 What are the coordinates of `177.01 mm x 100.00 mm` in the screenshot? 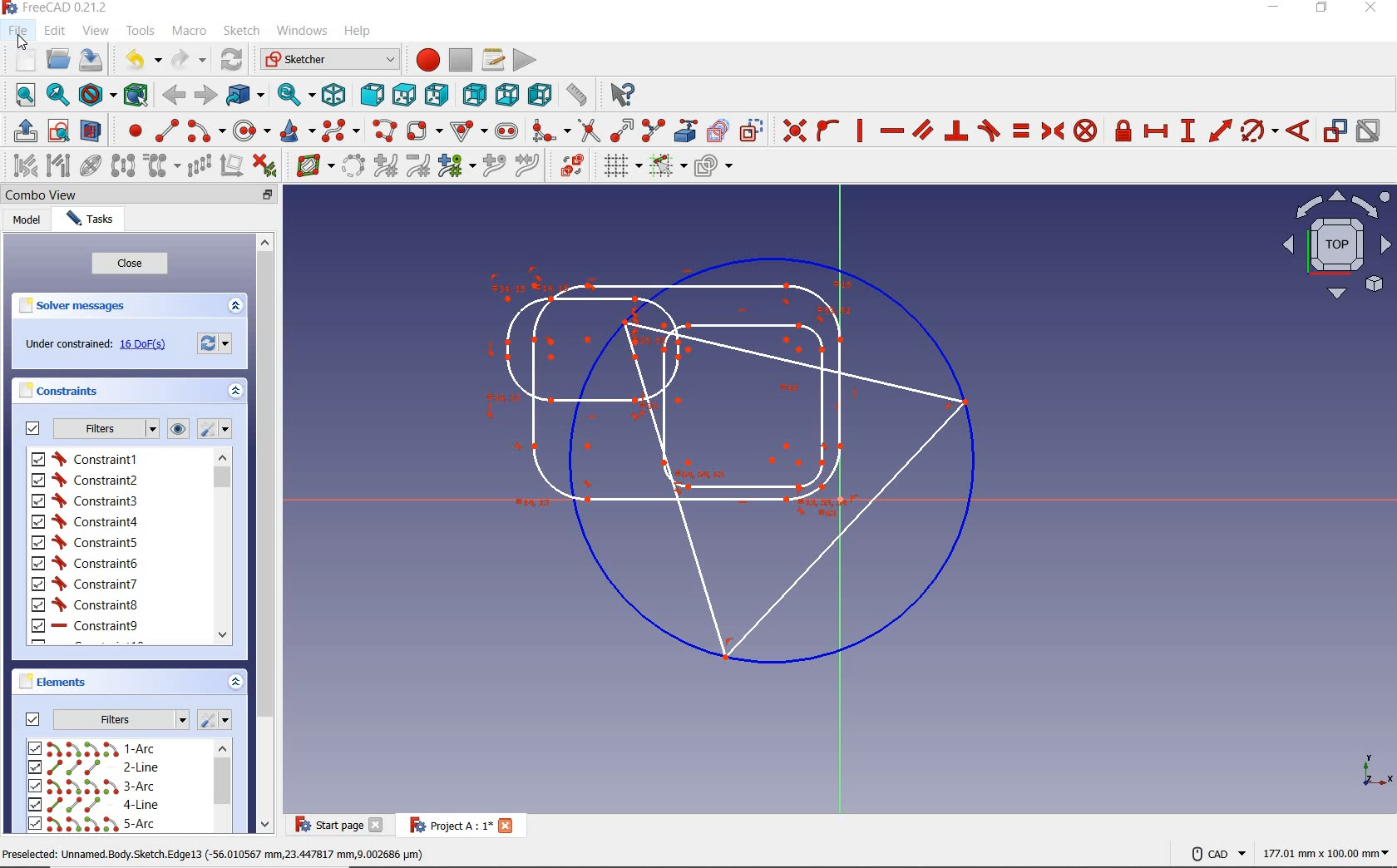 It's located at (1325, 855).